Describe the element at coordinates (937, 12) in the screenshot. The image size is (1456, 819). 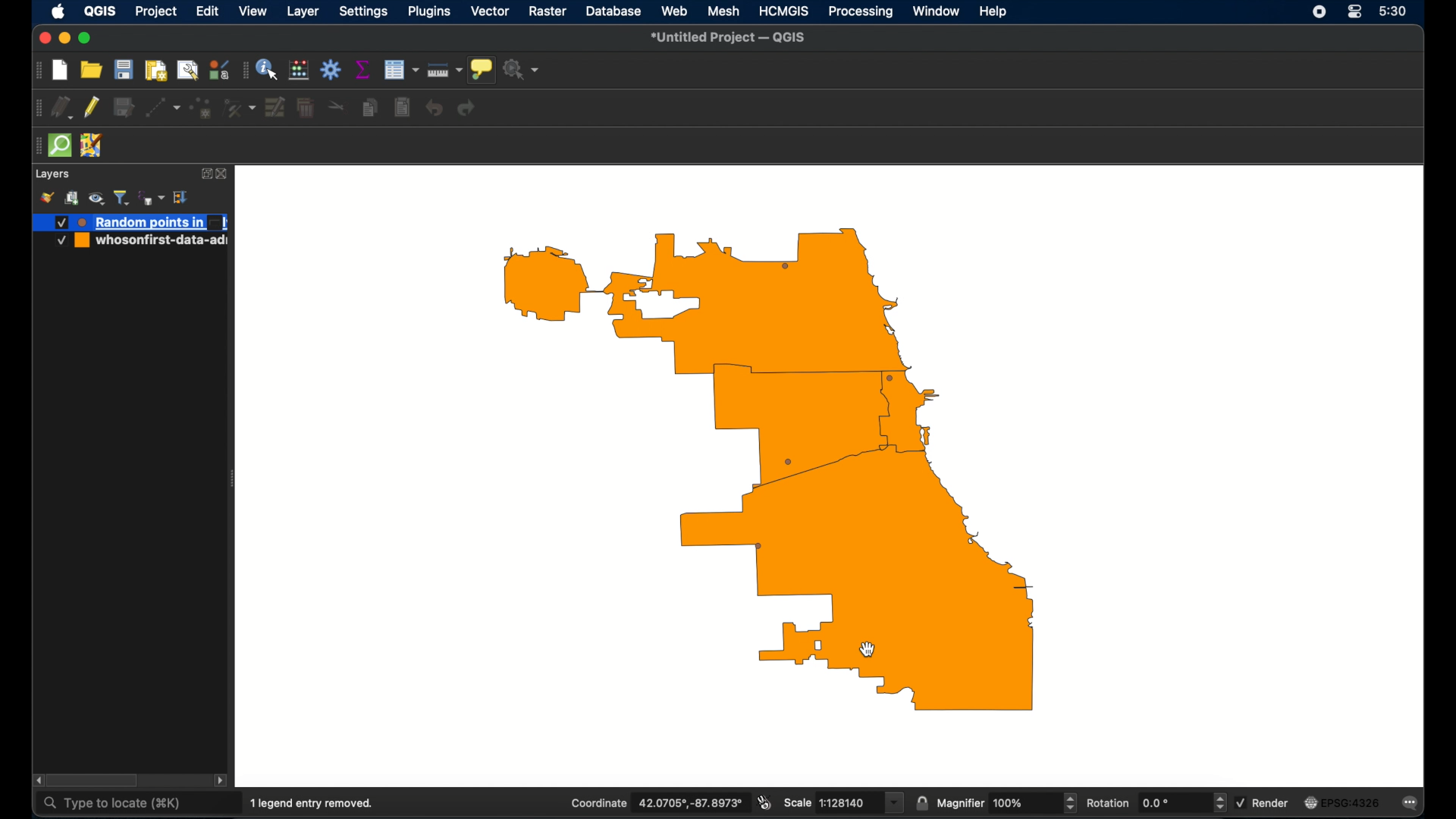
I see `window` at that location.